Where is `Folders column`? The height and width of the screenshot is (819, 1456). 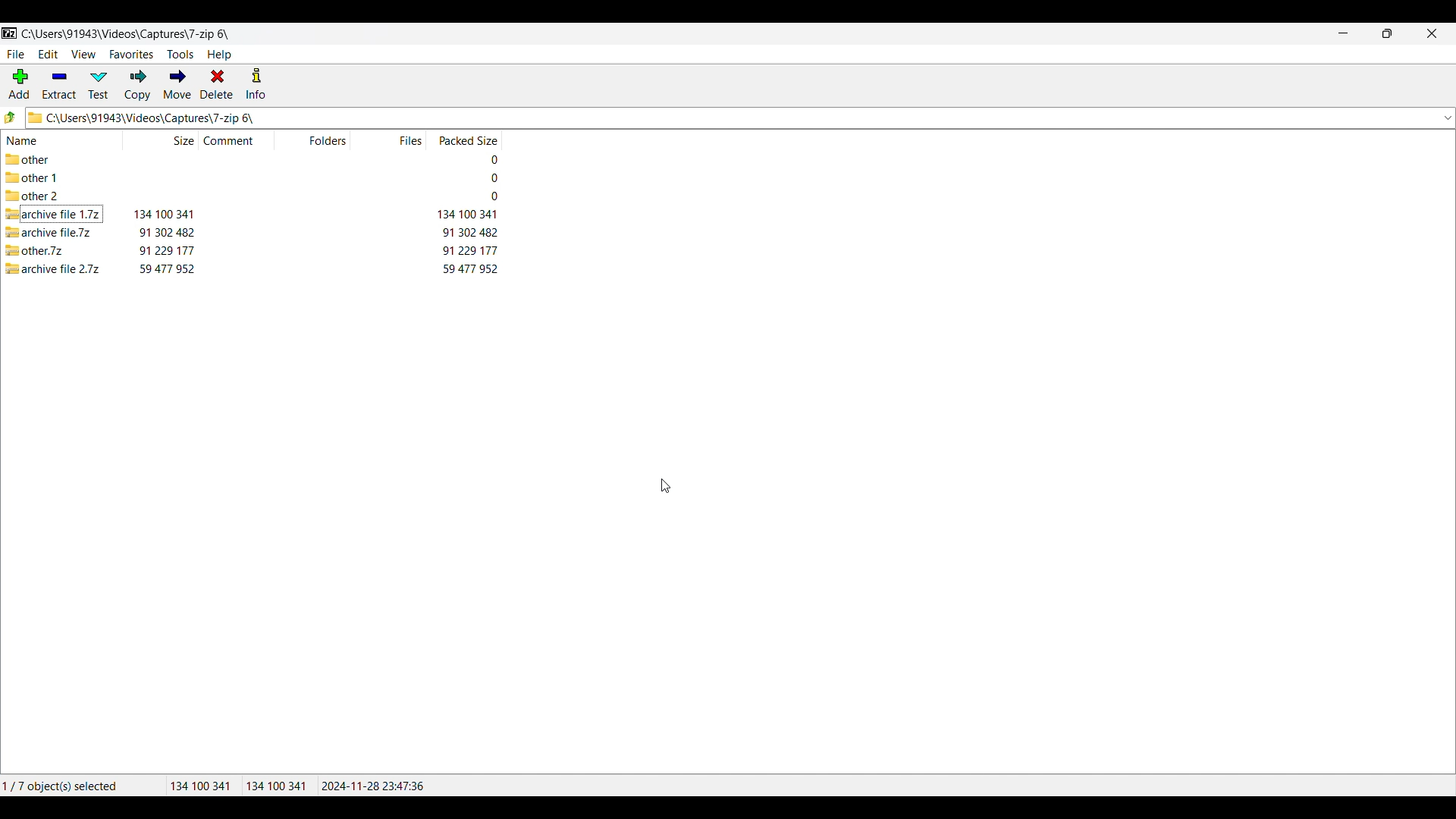
Folders column is located at coordinates (328, 140).